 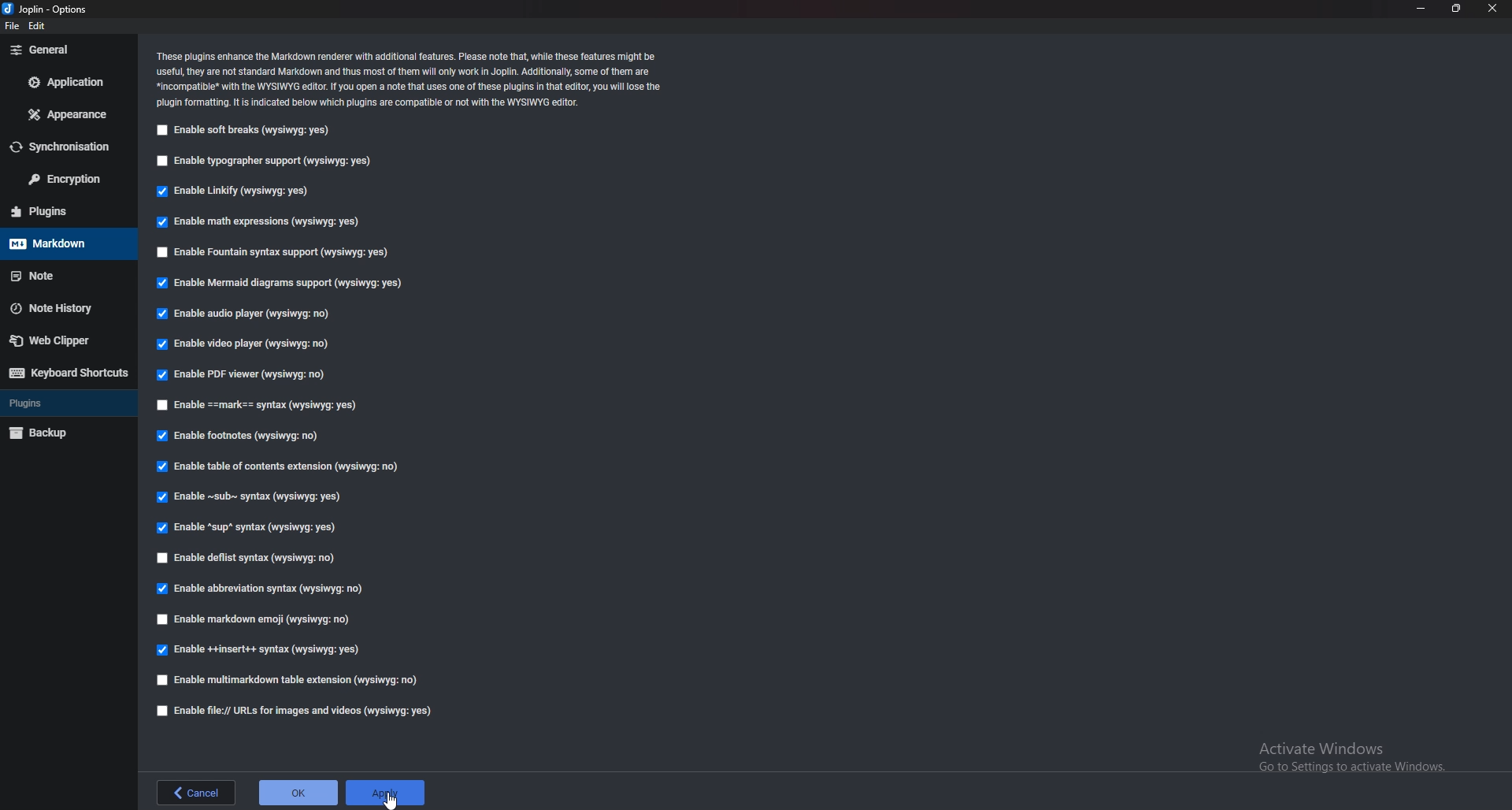 What do you see at coordinates (299, 710) in the screenshot?
I see `Enable file urls for images and videos` at bounding box center [299, 710].